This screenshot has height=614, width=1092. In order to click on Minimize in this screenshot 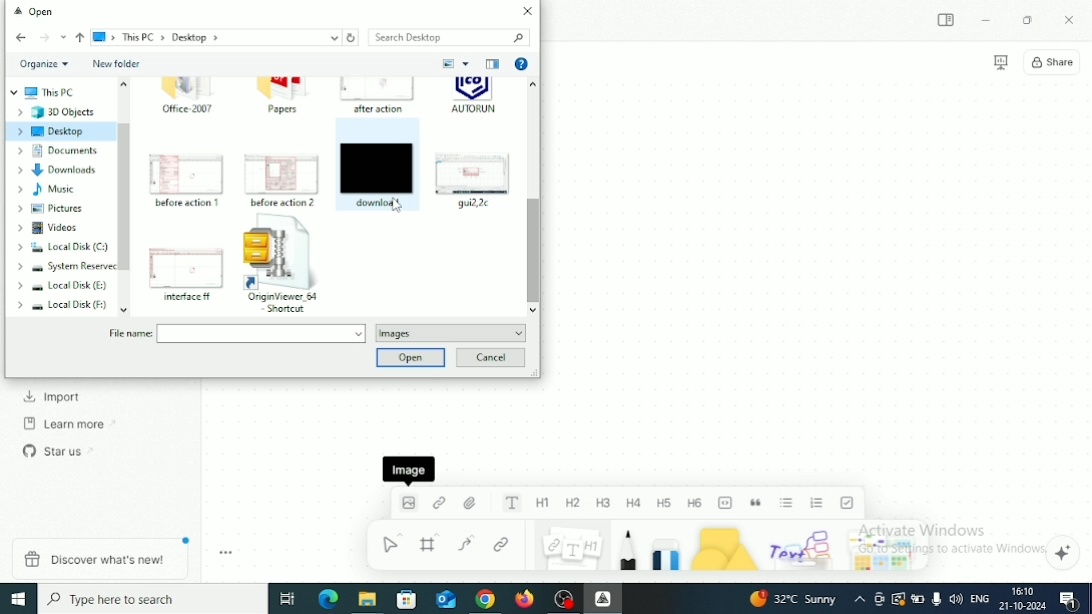, I will do `click(986, 19)`.